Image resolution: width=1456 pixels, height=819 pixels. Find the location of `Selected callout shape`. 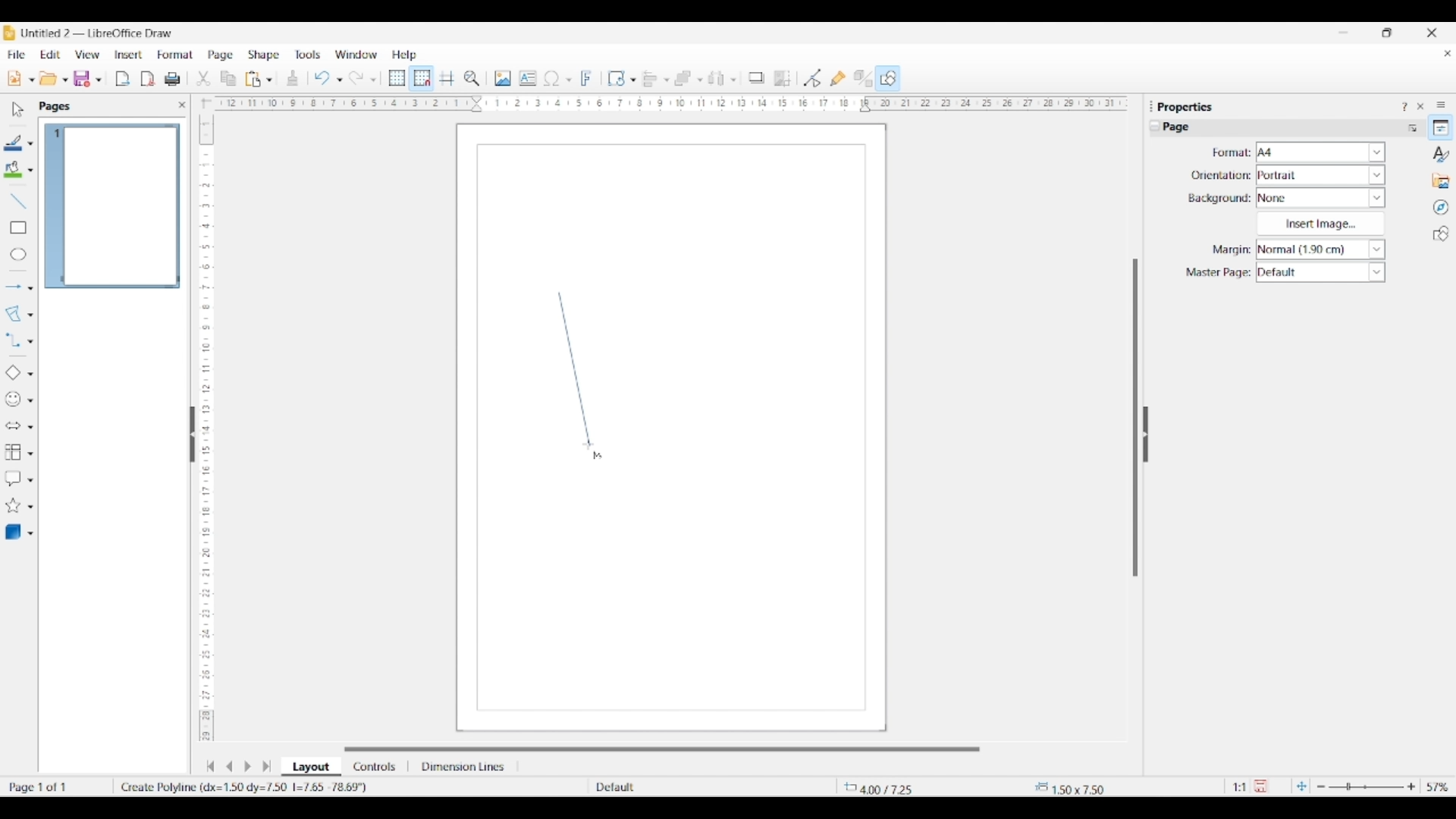

Selected callout shape is located at coordinates (13, 479).